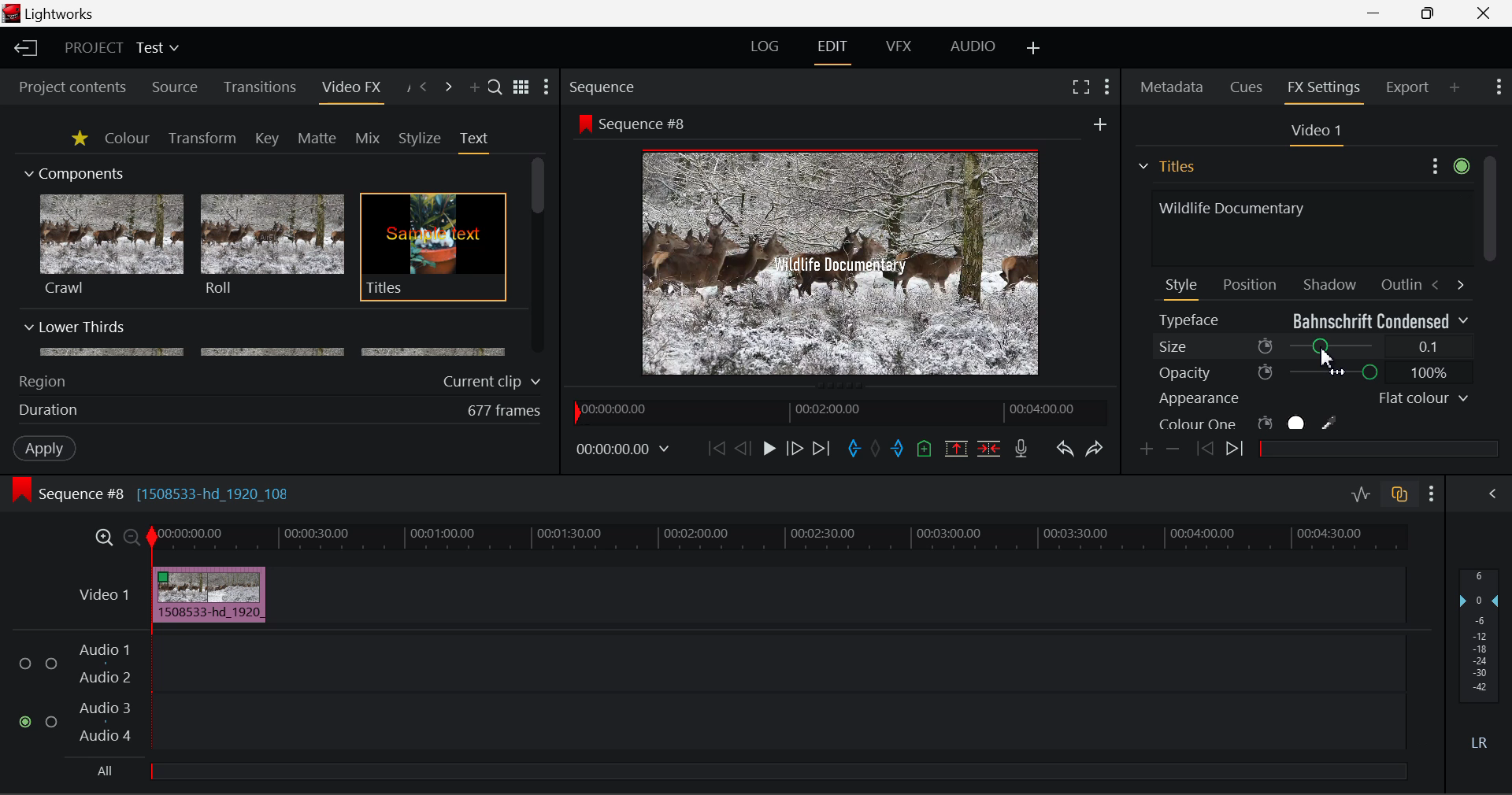 The width and height of the screenshot is (1512, 795). I want to click on Toggle audio levels editing, so click(1359, 492).